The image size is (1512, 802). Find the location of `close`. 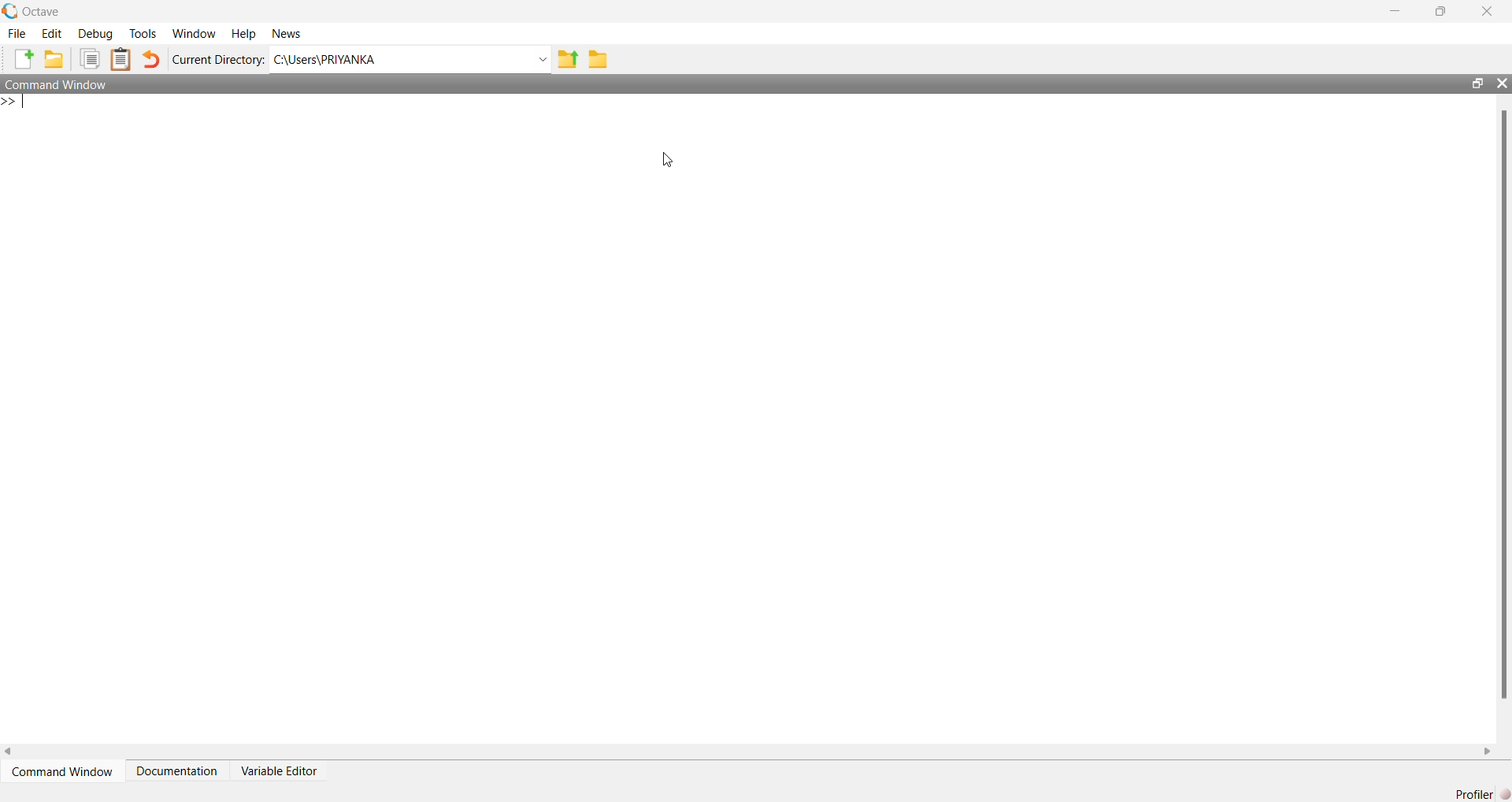

close is located at coordinates (1488, 12).